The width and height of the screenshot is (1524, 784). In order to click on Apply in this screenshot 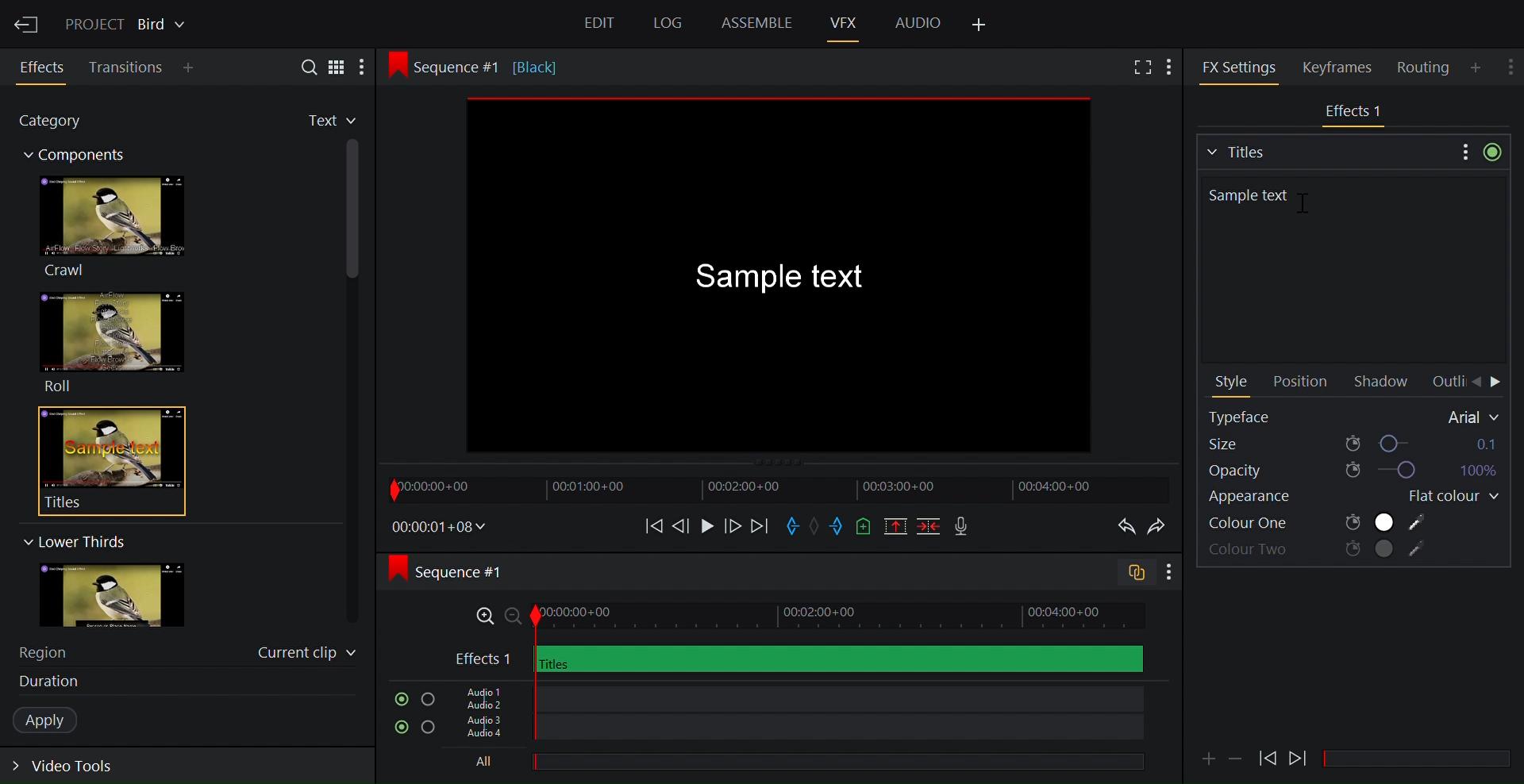, I will do `click(53, 721)`.